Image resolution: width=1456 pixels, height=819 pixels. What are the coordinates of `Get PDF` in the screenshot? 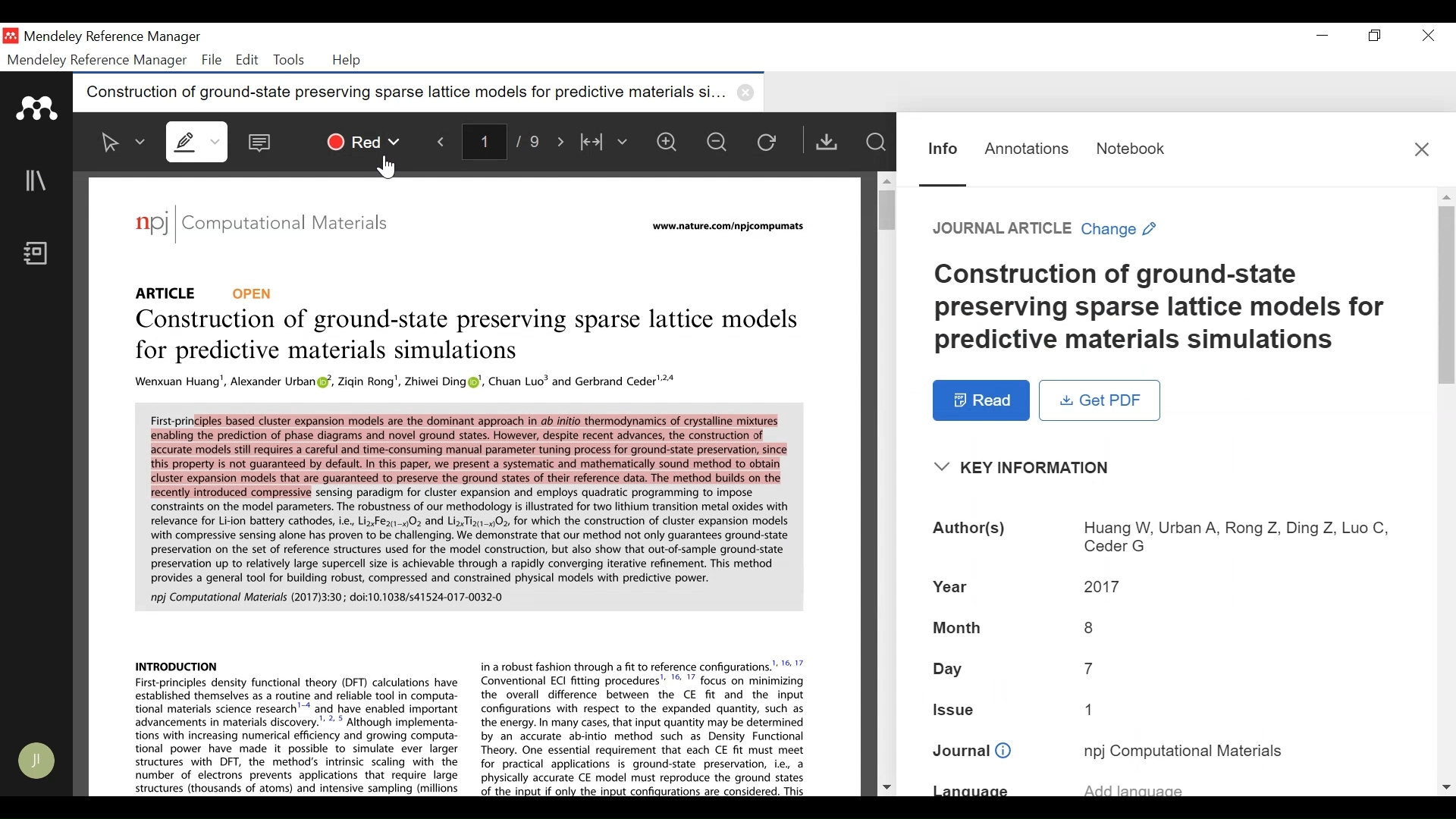 It's located at (1100, 400).